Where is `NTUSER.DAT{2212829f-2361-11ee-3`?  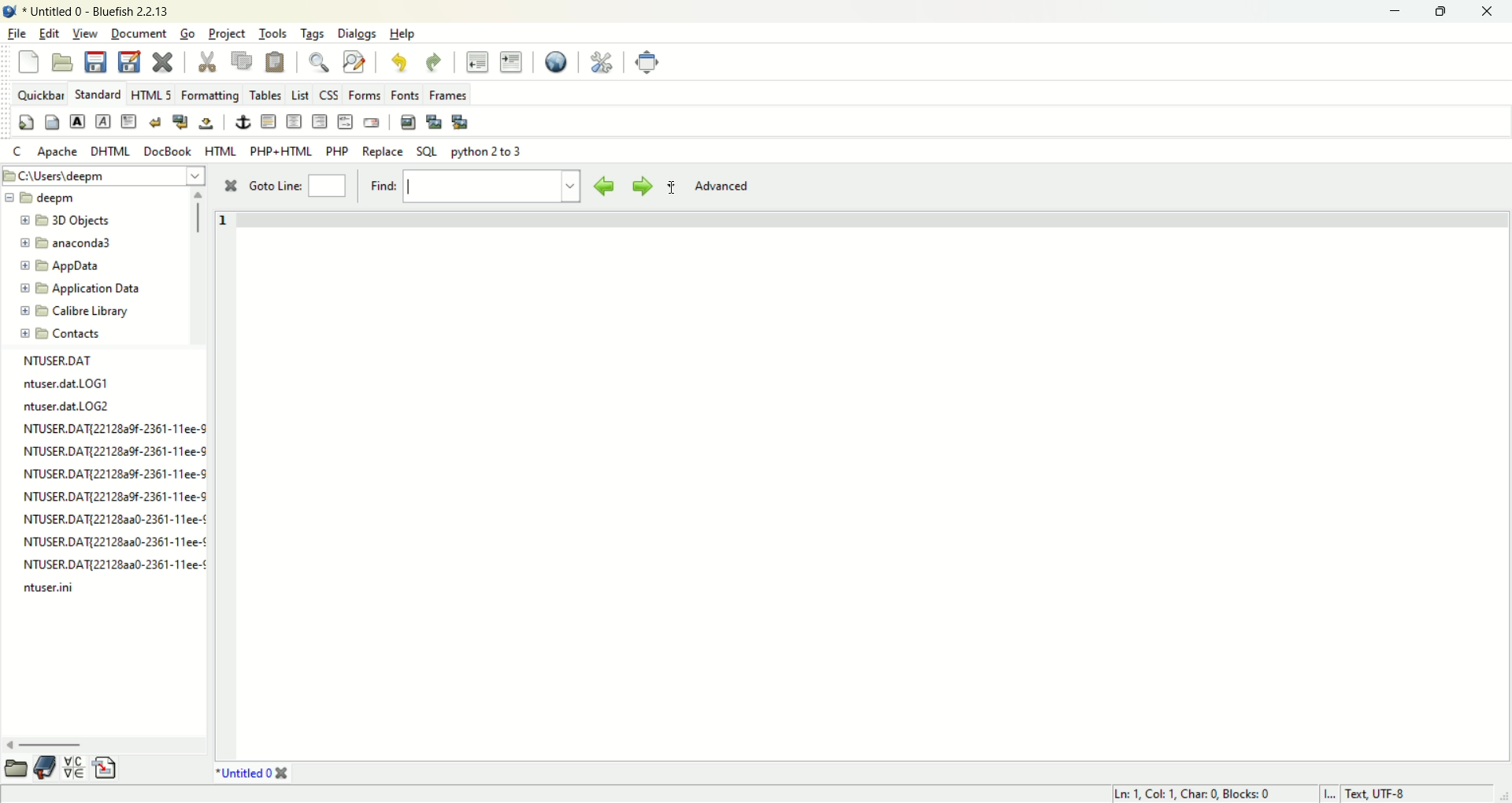 NTUSER.DAT{2212829f-2361-11ee-3 is located at coordinates (113, 474).